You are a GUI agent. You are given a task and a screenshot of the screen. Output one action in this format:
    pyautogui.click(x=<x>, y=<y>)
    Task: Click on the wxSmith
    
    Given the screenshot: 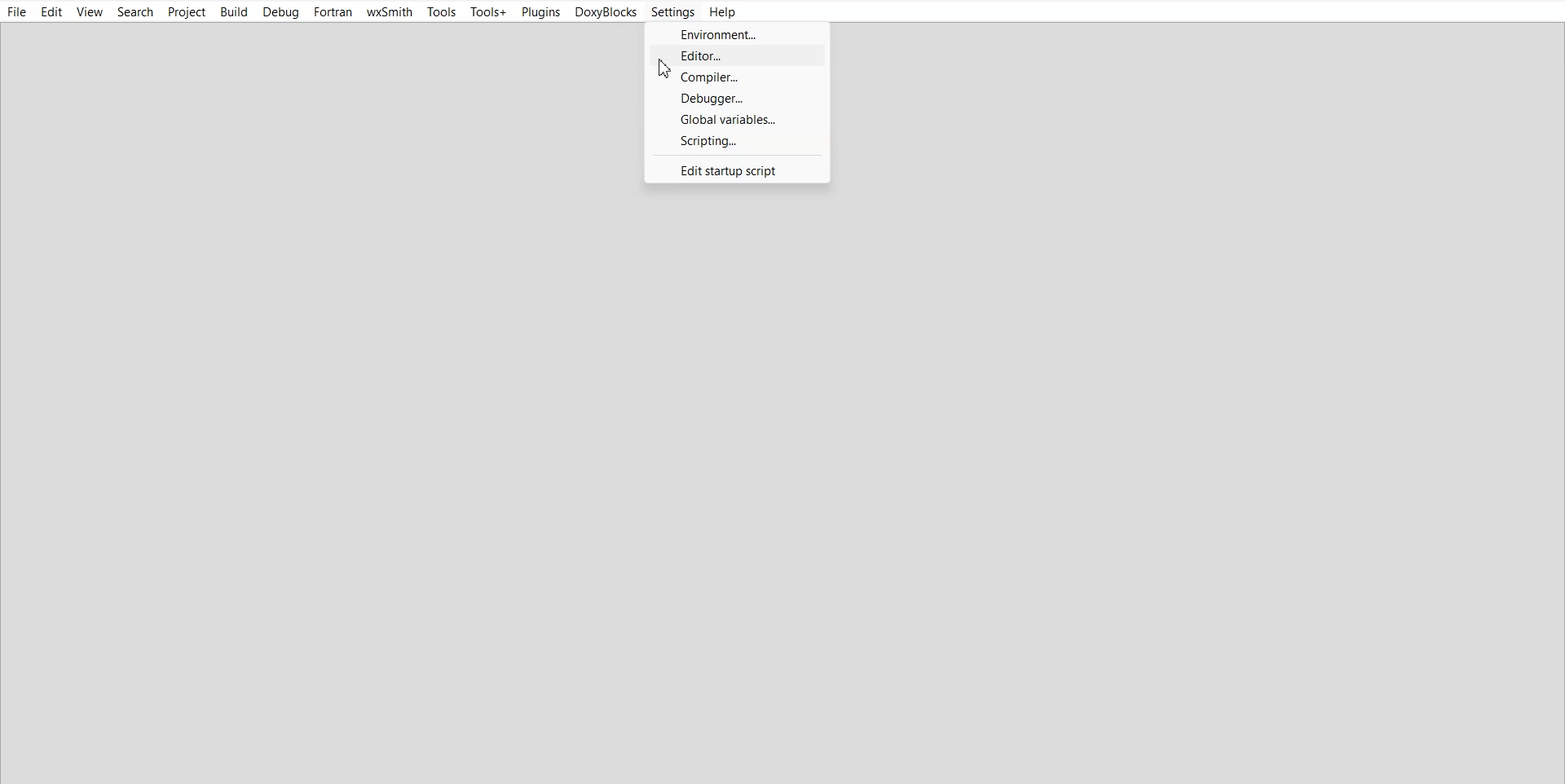 What is the action you would take?
    pyautogui.click(x=389, y=11)
    